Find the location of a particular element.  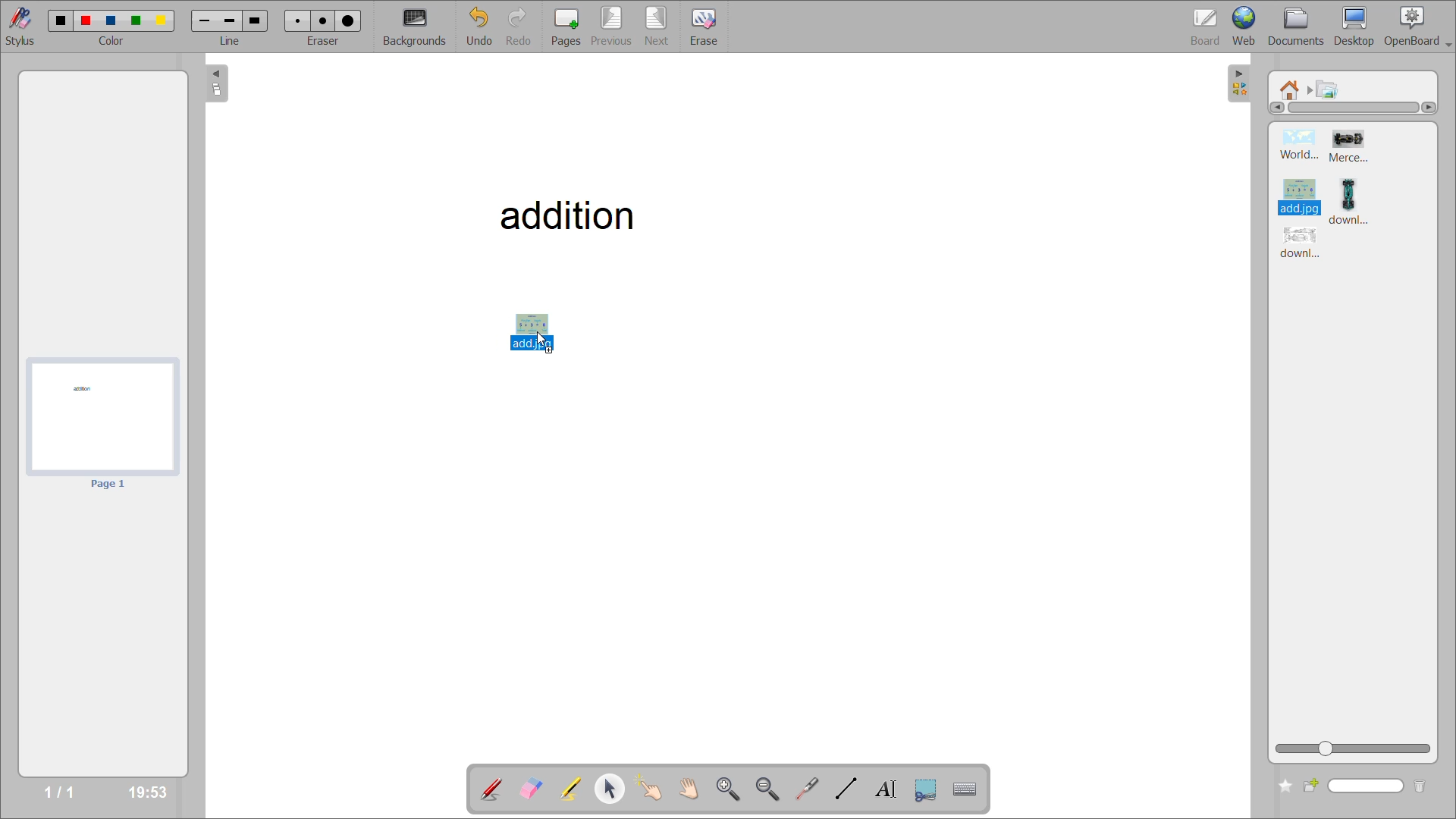

backgrounds is located at coordinates (421, 27).